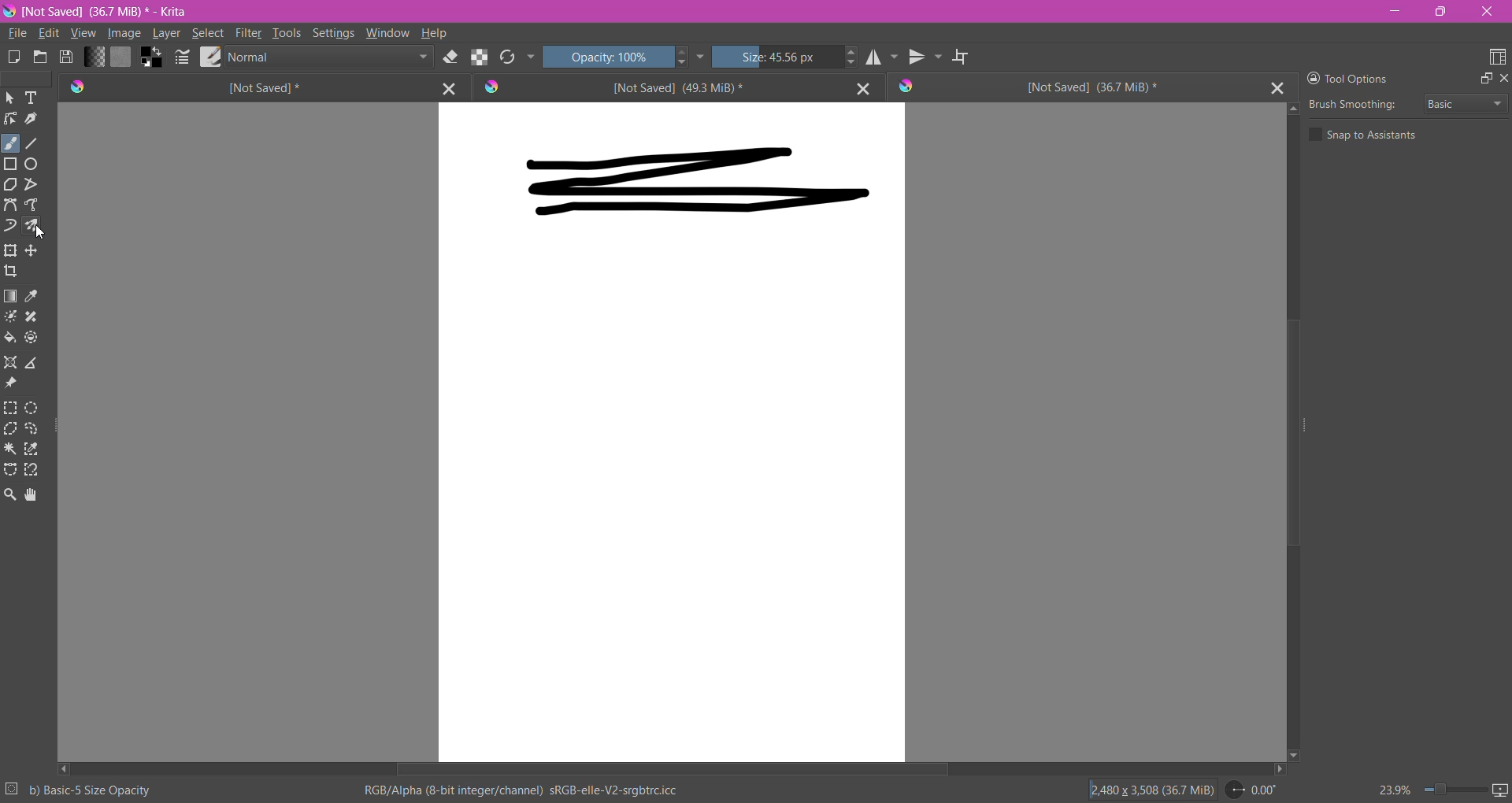  Describe the element at coordinates (10, 185) in the screenshot. I see `Polygon Tool` at that location.